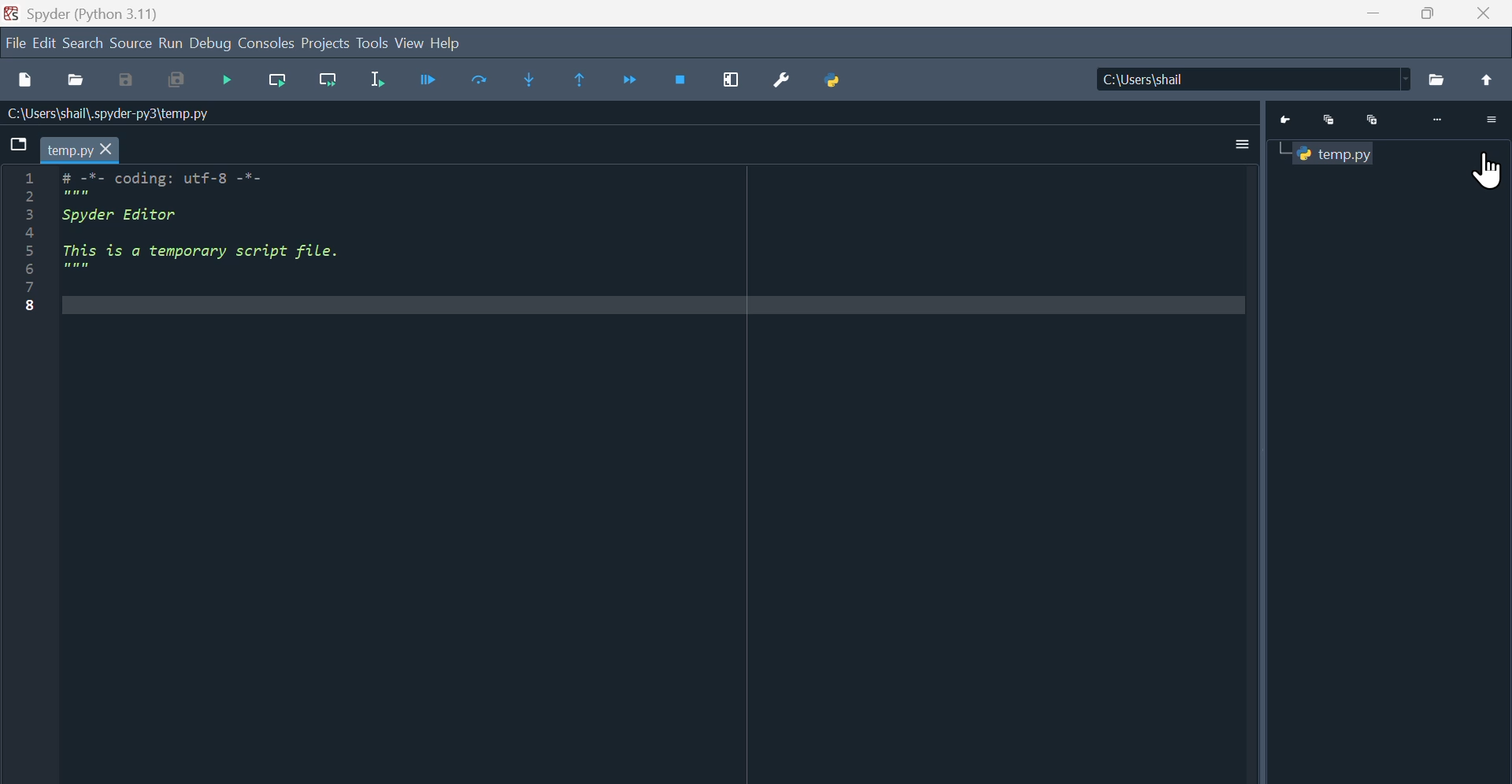 The height and width of the screenshot is (784, 1512). I want to click on Tools, so click(372, 43).